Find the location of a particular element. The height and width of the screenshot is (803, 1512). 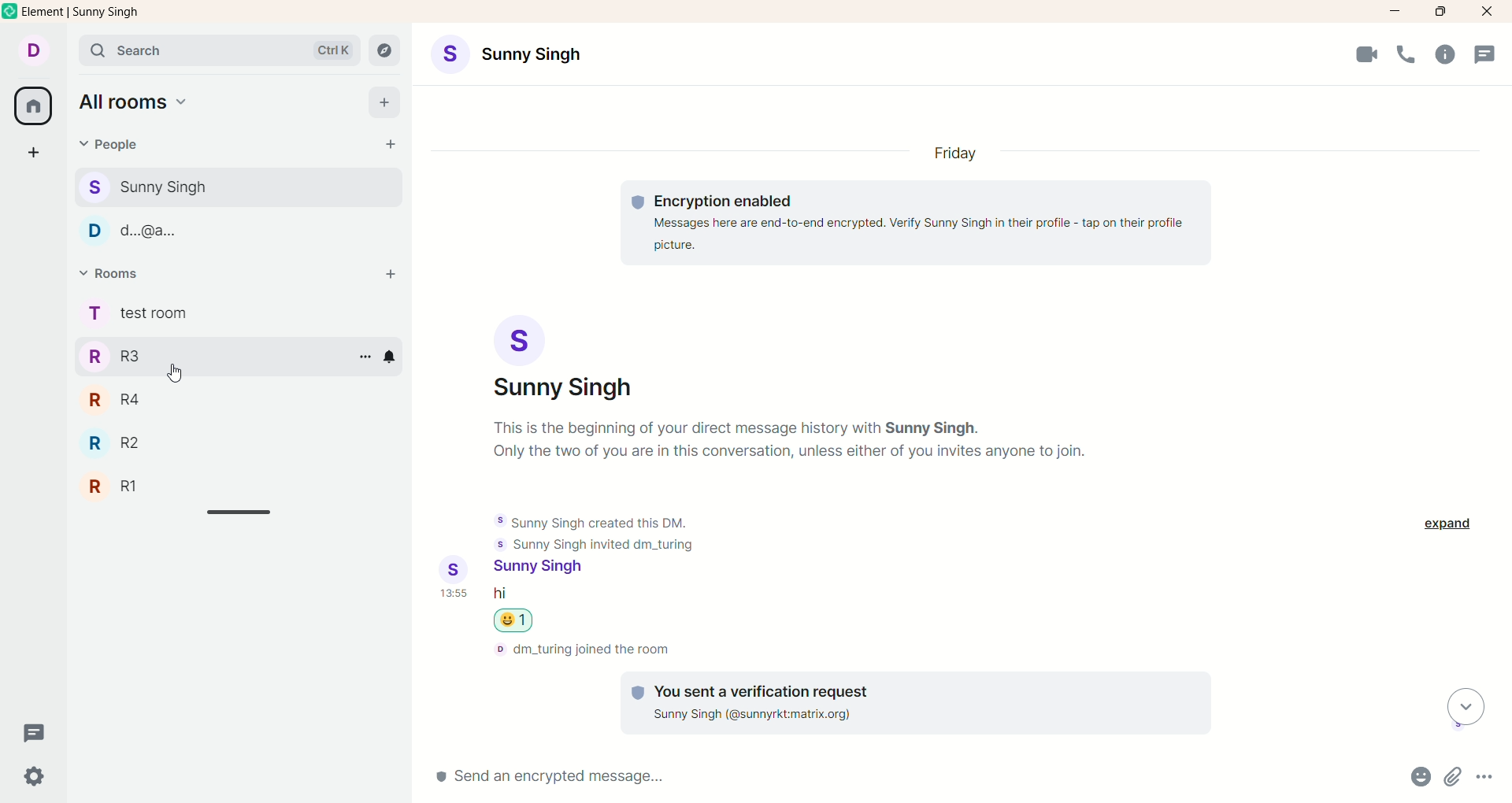

add is located at coordinates (386, 105).